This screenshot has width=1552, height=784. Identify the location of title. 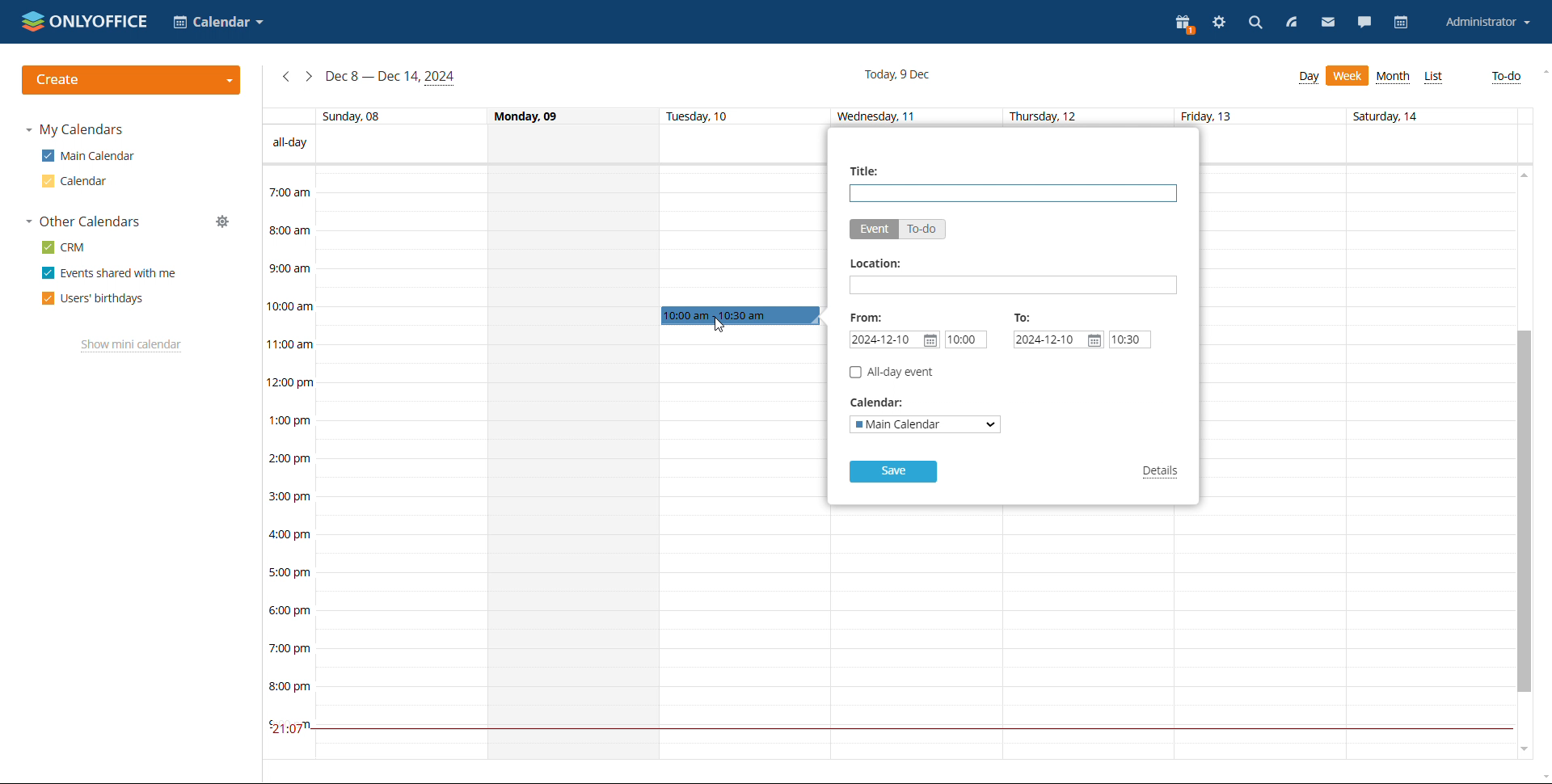
(1014, 193).